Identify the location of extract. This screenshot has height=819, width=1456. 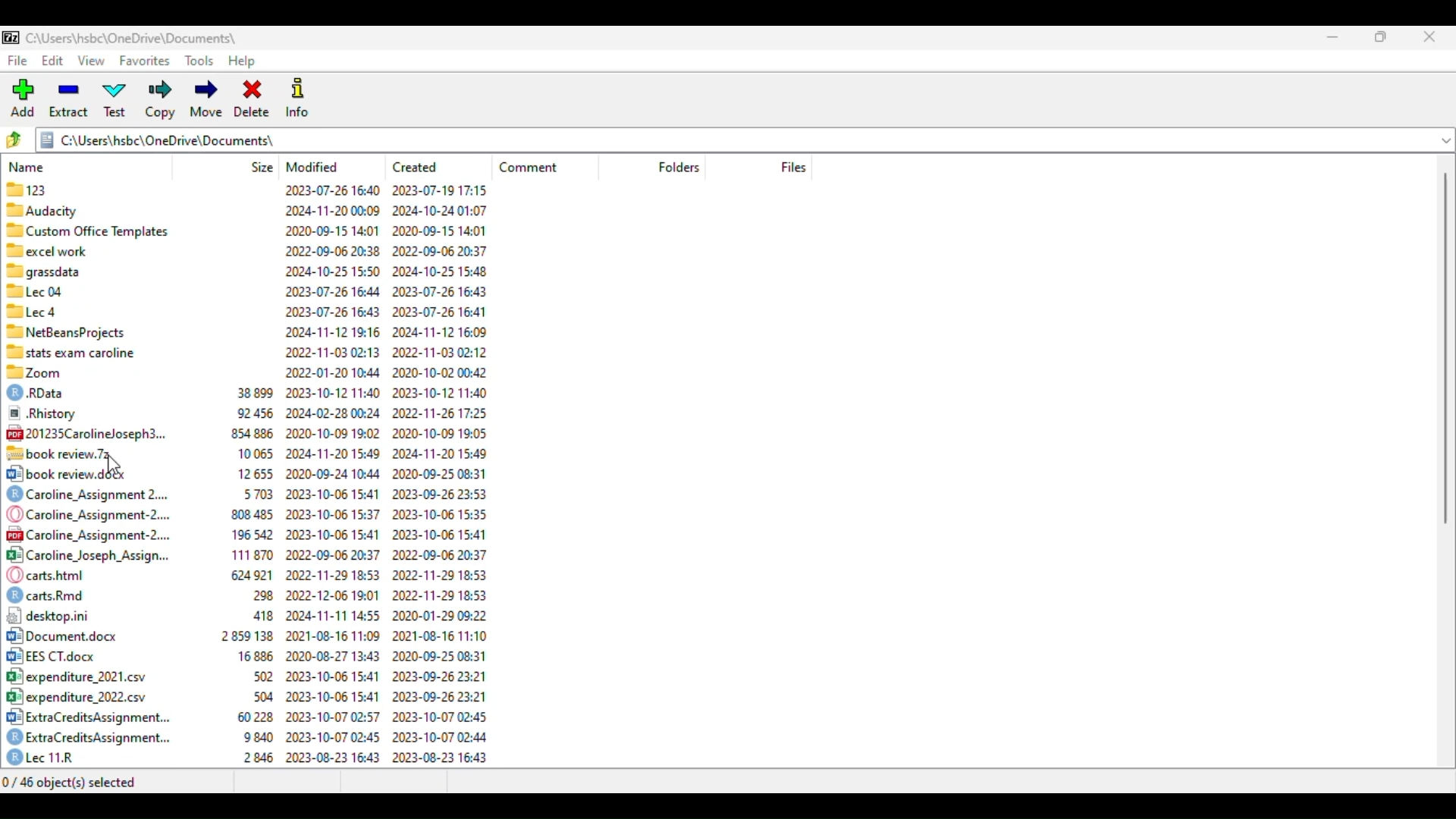
(68, 99).